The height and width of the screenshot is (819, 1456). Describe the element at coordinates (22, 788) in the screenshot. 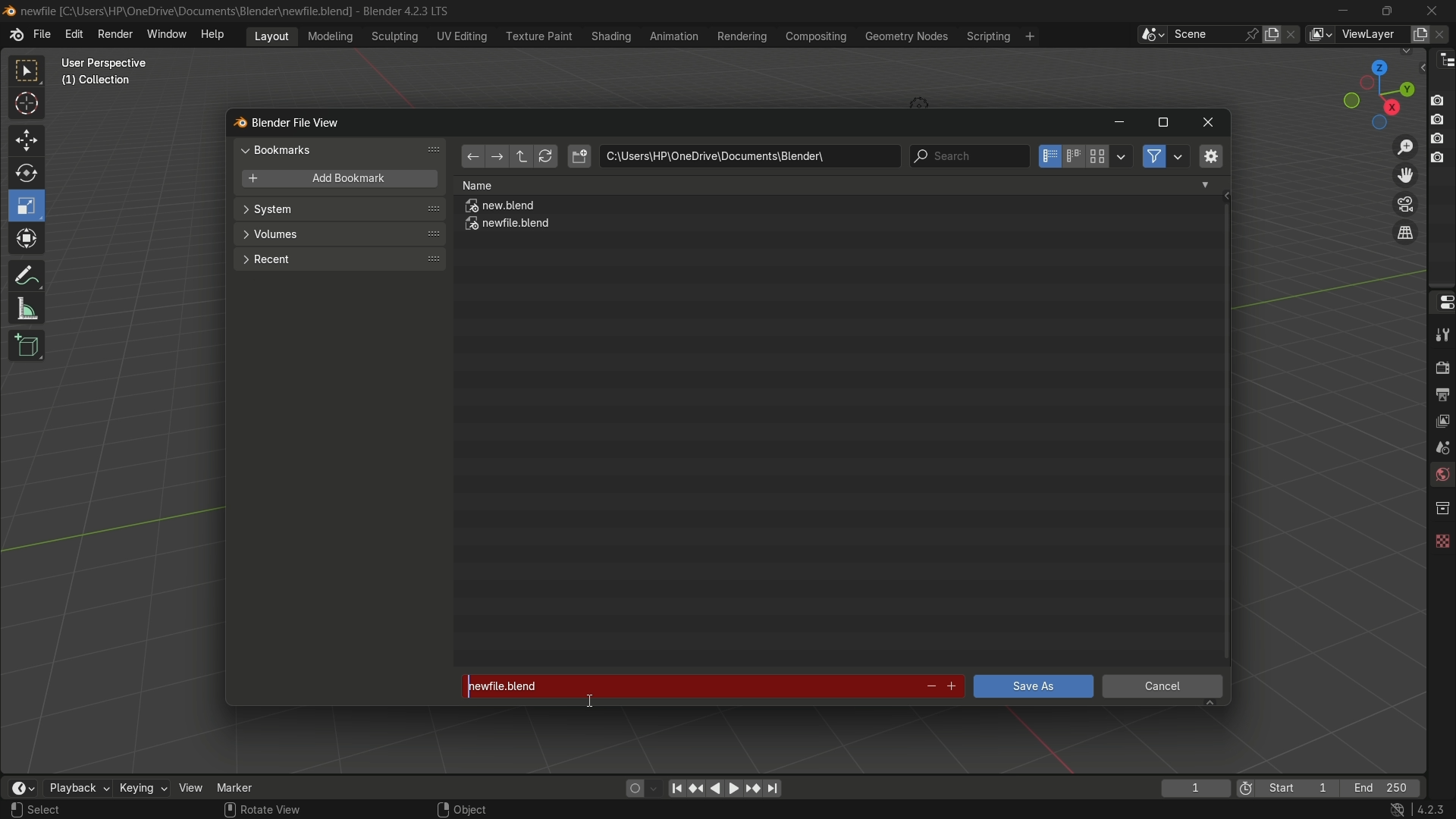

I see `timeline` at that location.